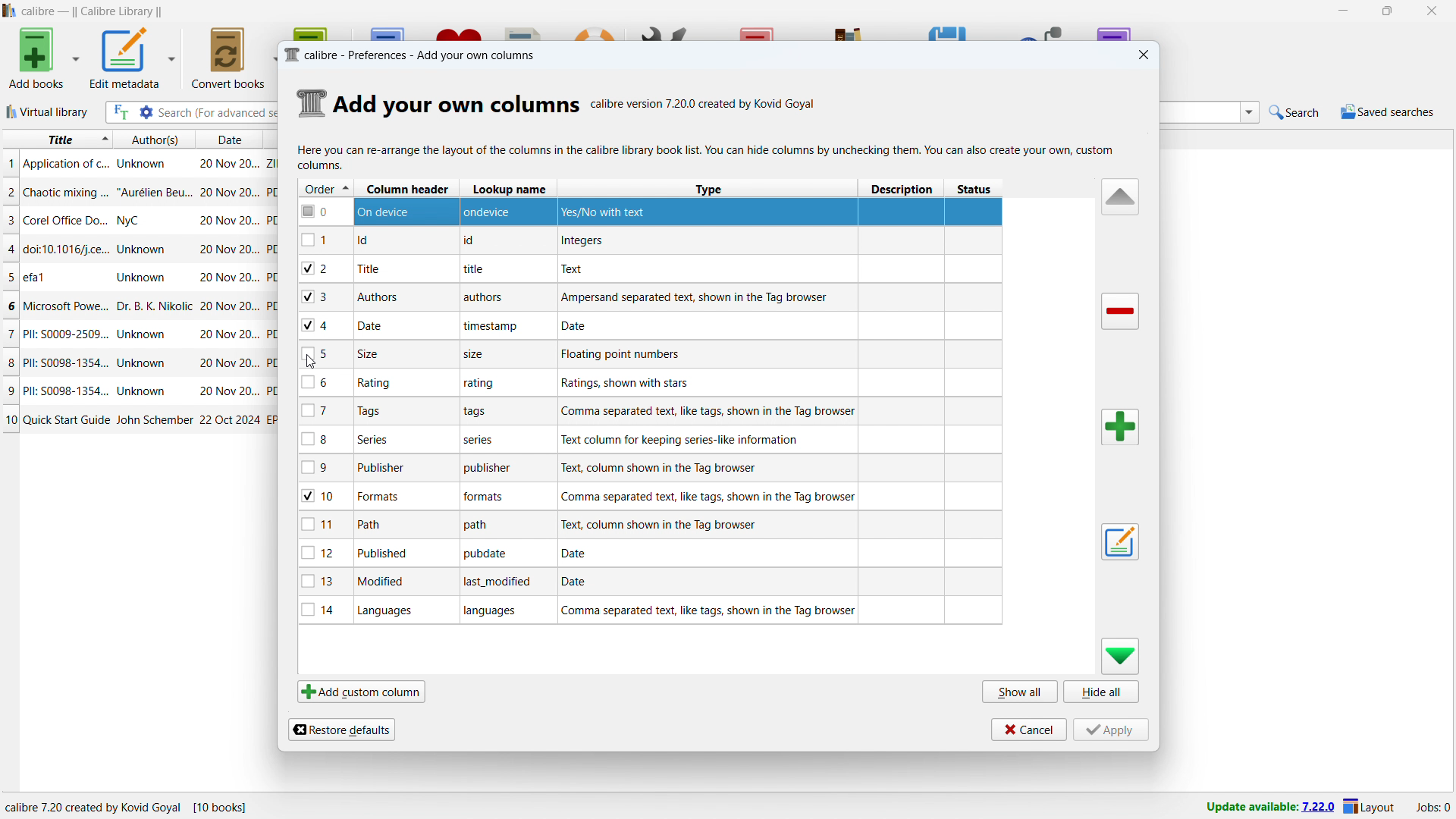 This screenshot has width=1456, height=819. I want to click on 9, so click(320, 468).